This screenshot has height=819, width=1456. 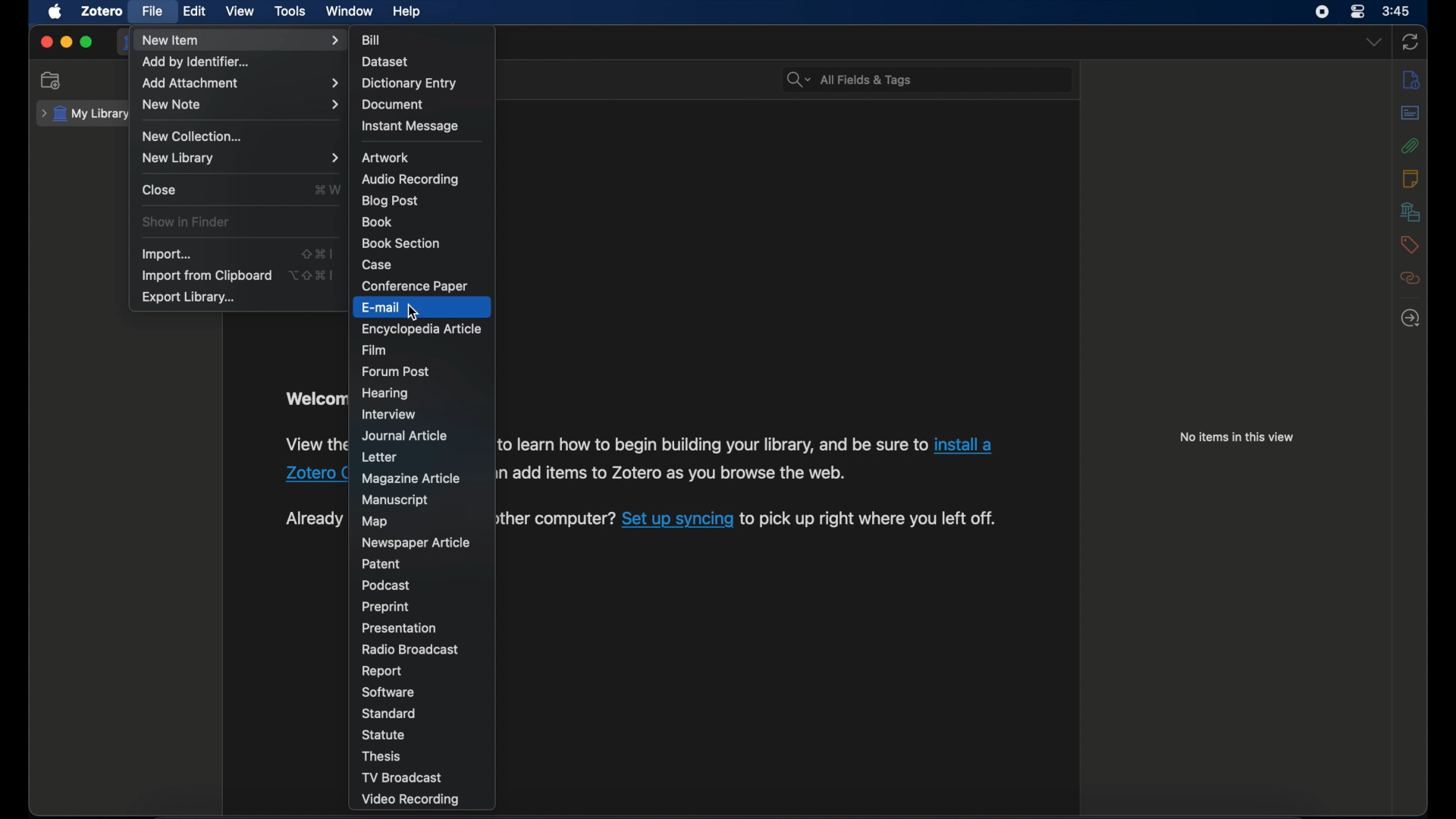 I want to click on radio broadcast, so click(x=413, y=650).